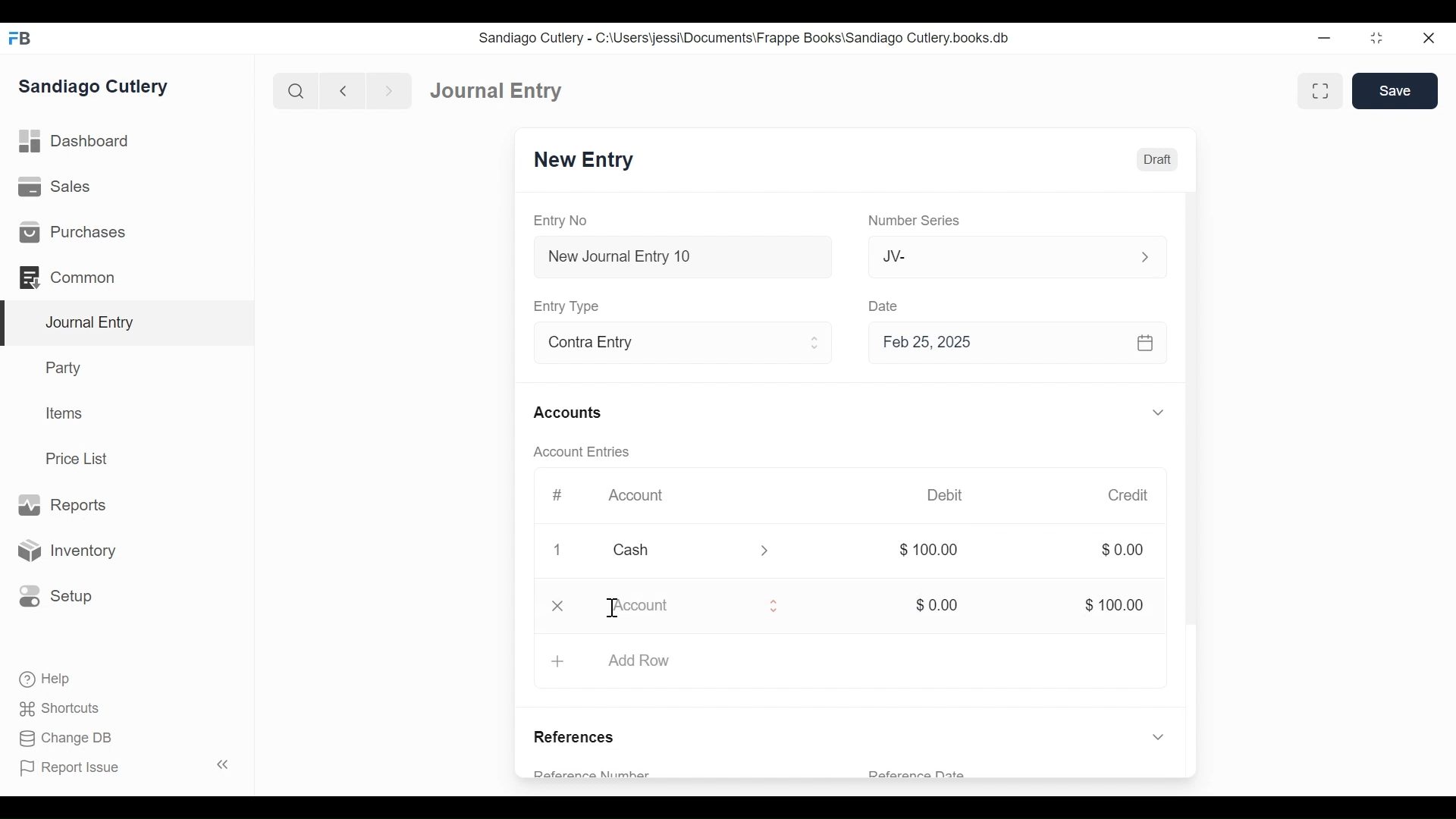 The height and width of the screenshot is (819, 1456). Describe the element at coordinates (1326, 39) in the screenshot. I see `Minimize` at that location.